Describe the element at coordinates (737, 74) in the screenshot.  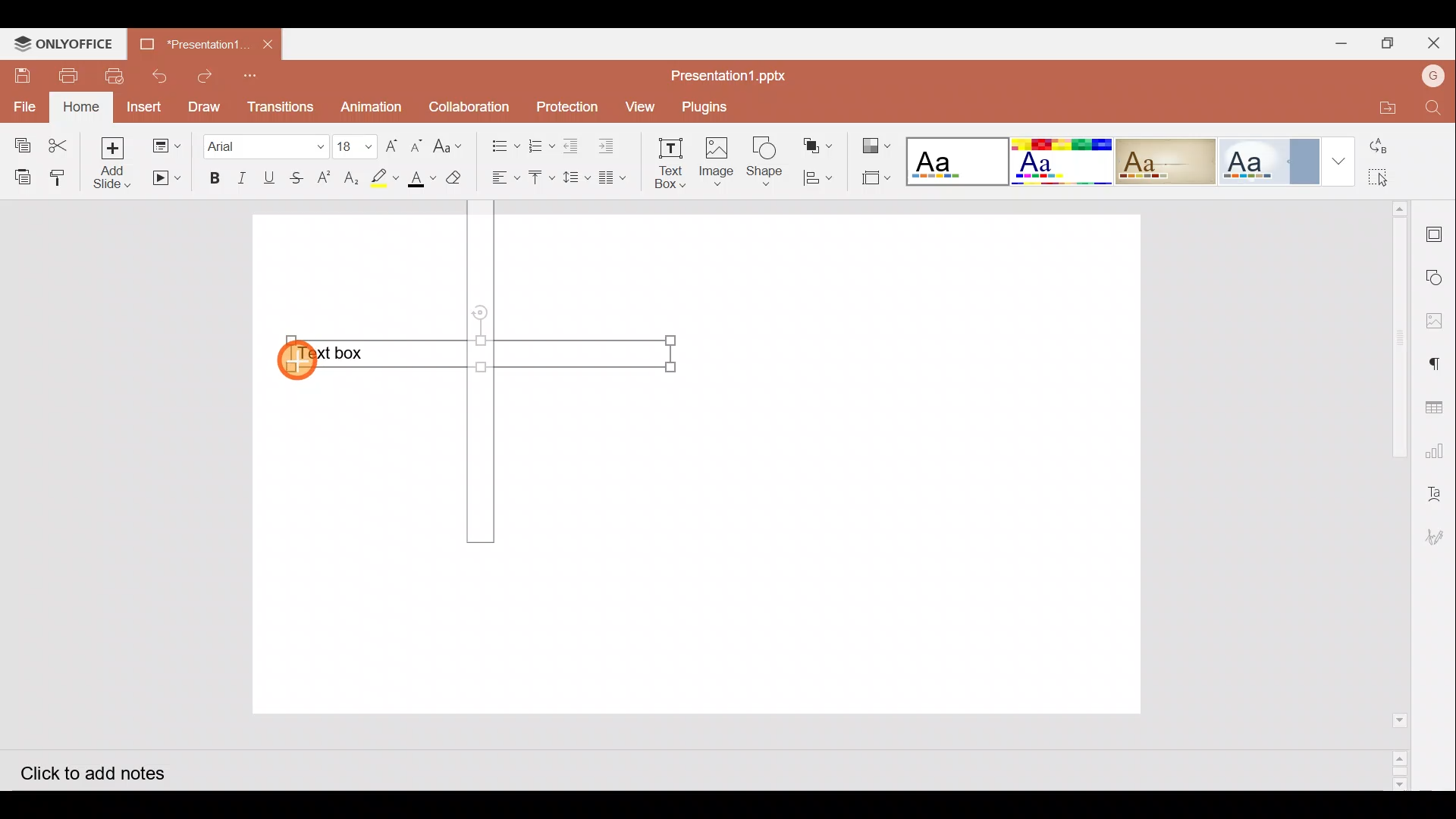
I see `Presentation1.pptx` at that location.